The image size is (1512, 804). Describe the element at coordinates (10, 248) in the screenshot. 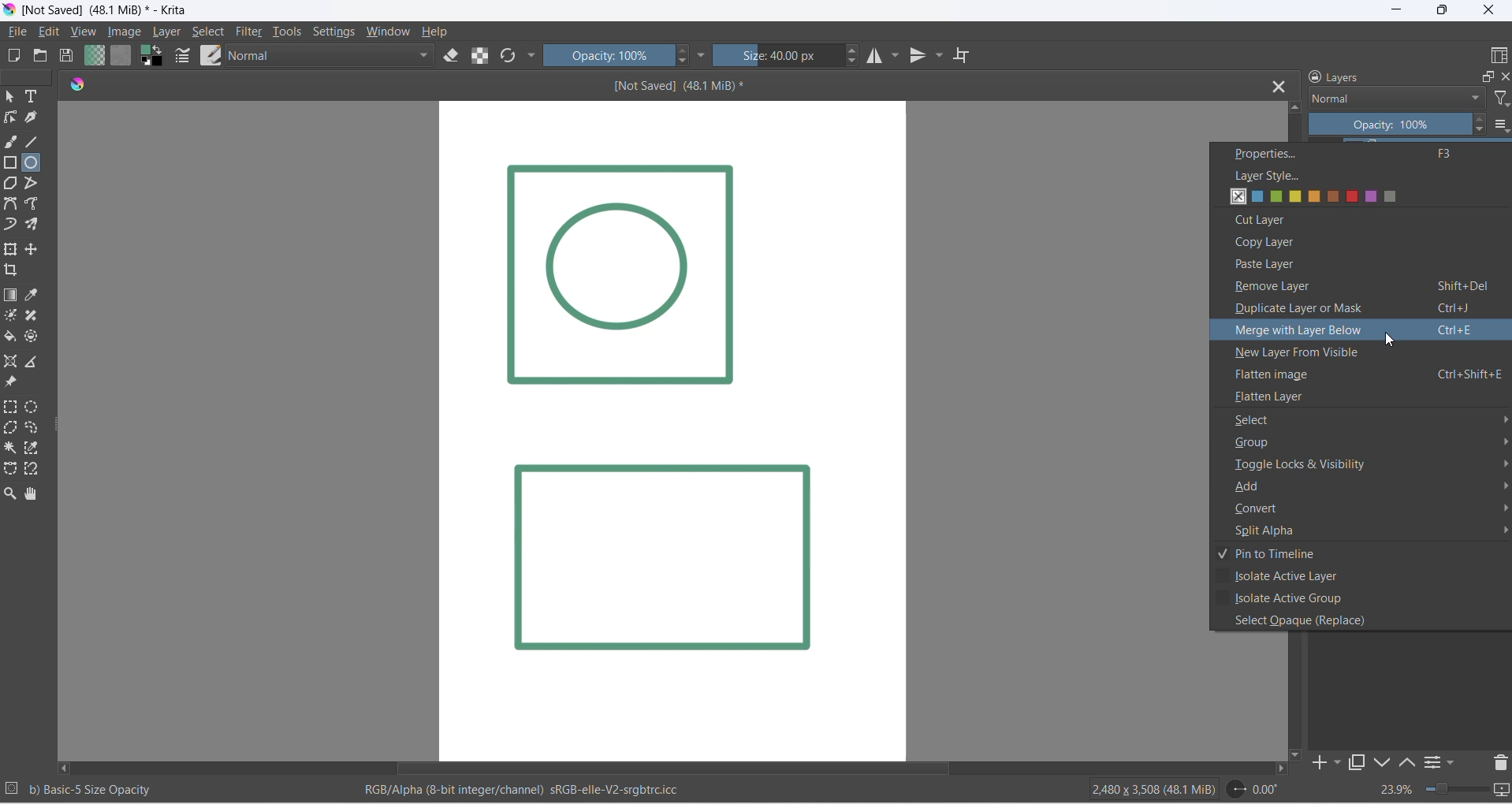

I see `transform layer` at that location.